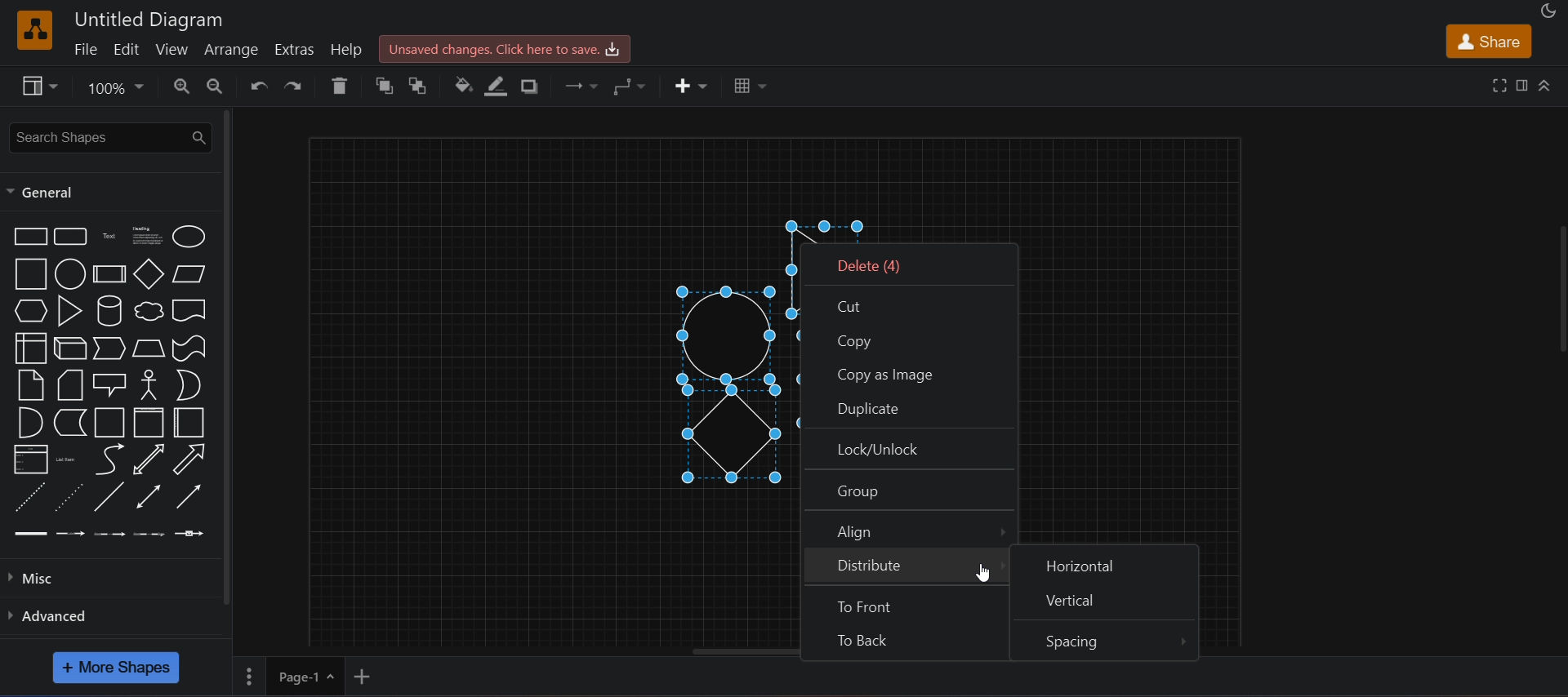 The width and height of the screenshot is (1568, 697). Describe the element at coordinates (906, 566) in the screenshot. I see `distribute` at that location.